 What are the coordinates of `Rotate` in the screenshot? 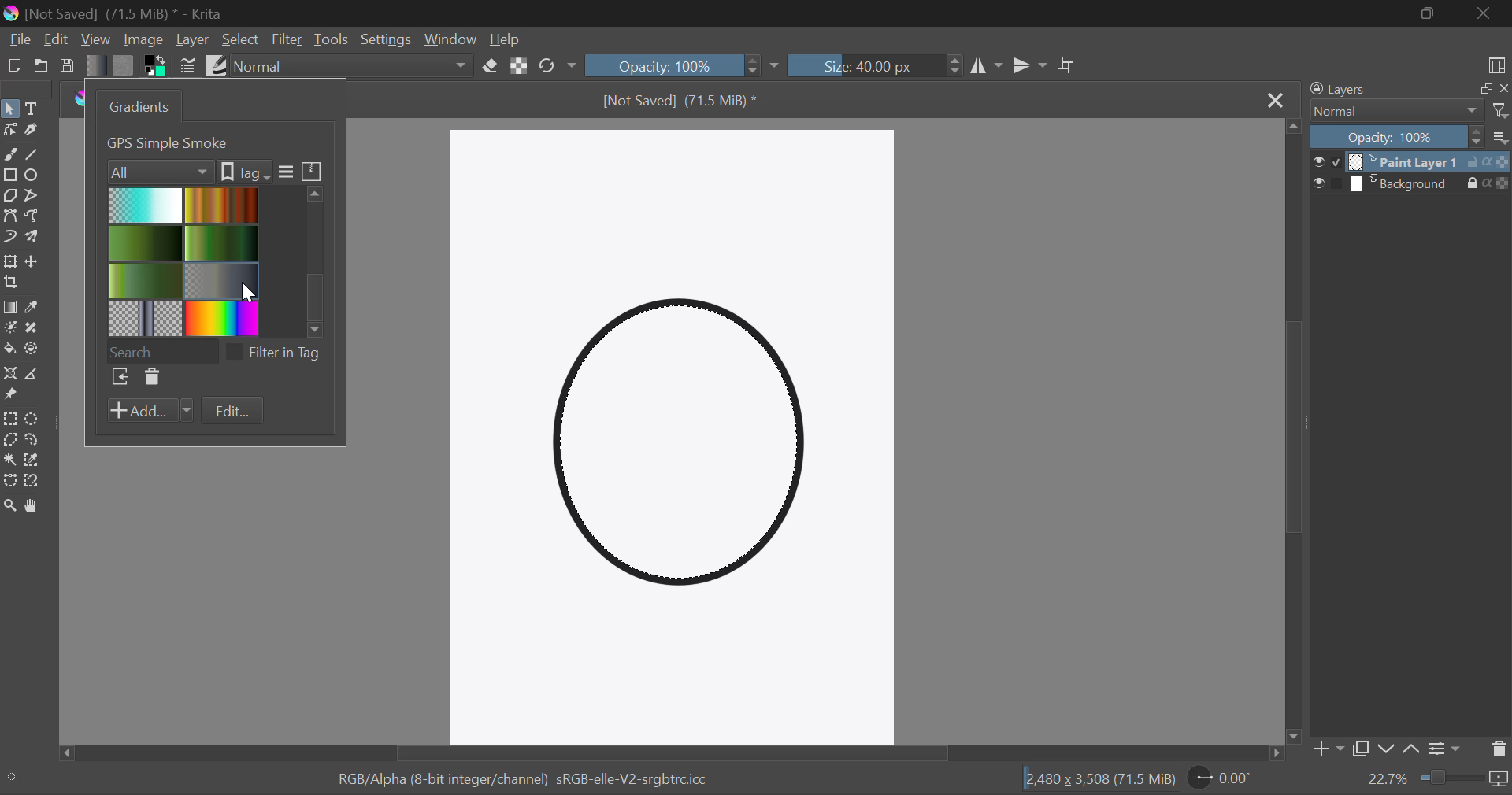 It's located at (556, 65).